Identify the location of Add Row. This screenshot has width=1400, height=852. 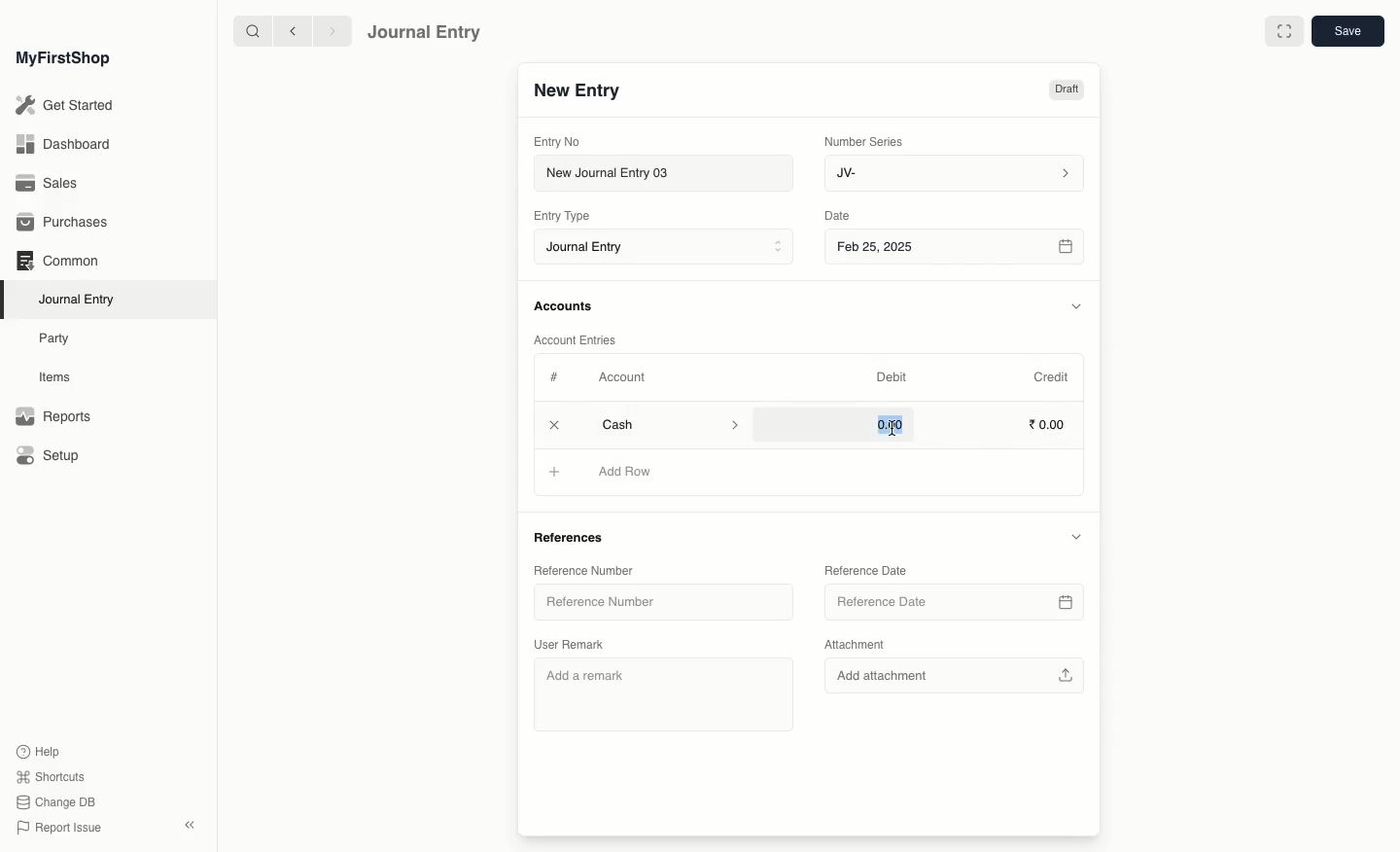
(628, 472).